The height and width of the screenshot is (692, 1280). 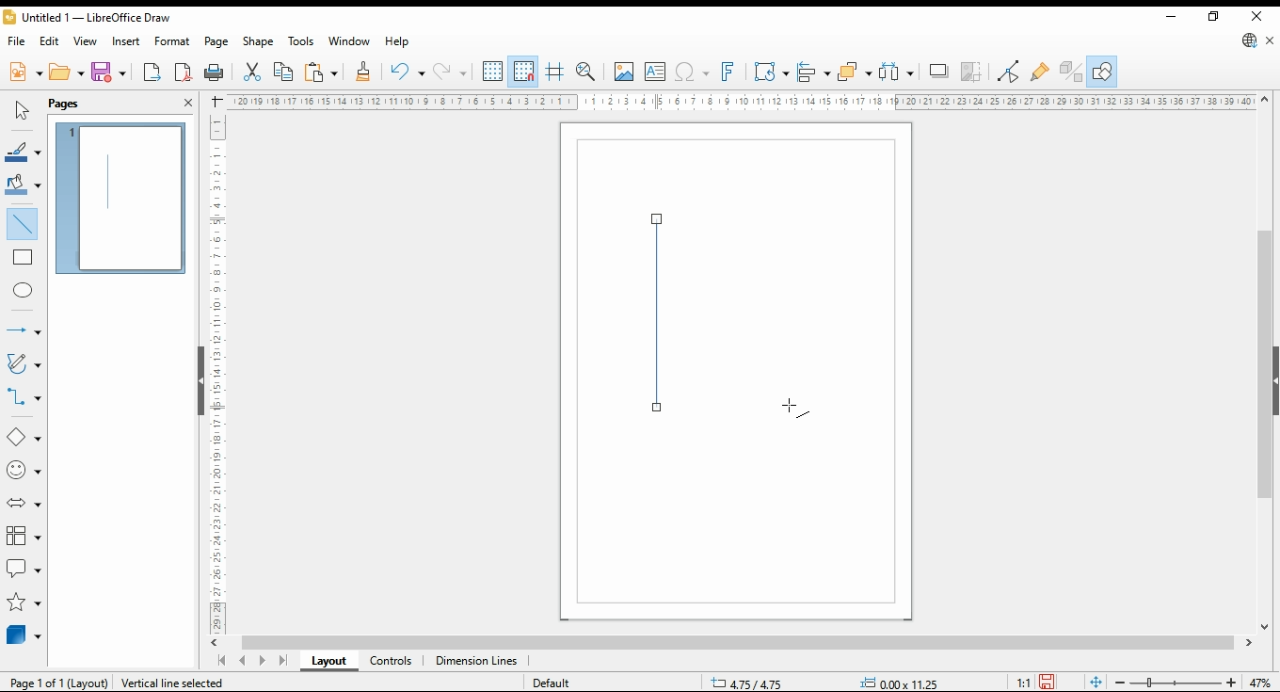 What do you see at coordinates (814, 71) in the screenshot?
I see `align objects` at bounding box center [814, 71].